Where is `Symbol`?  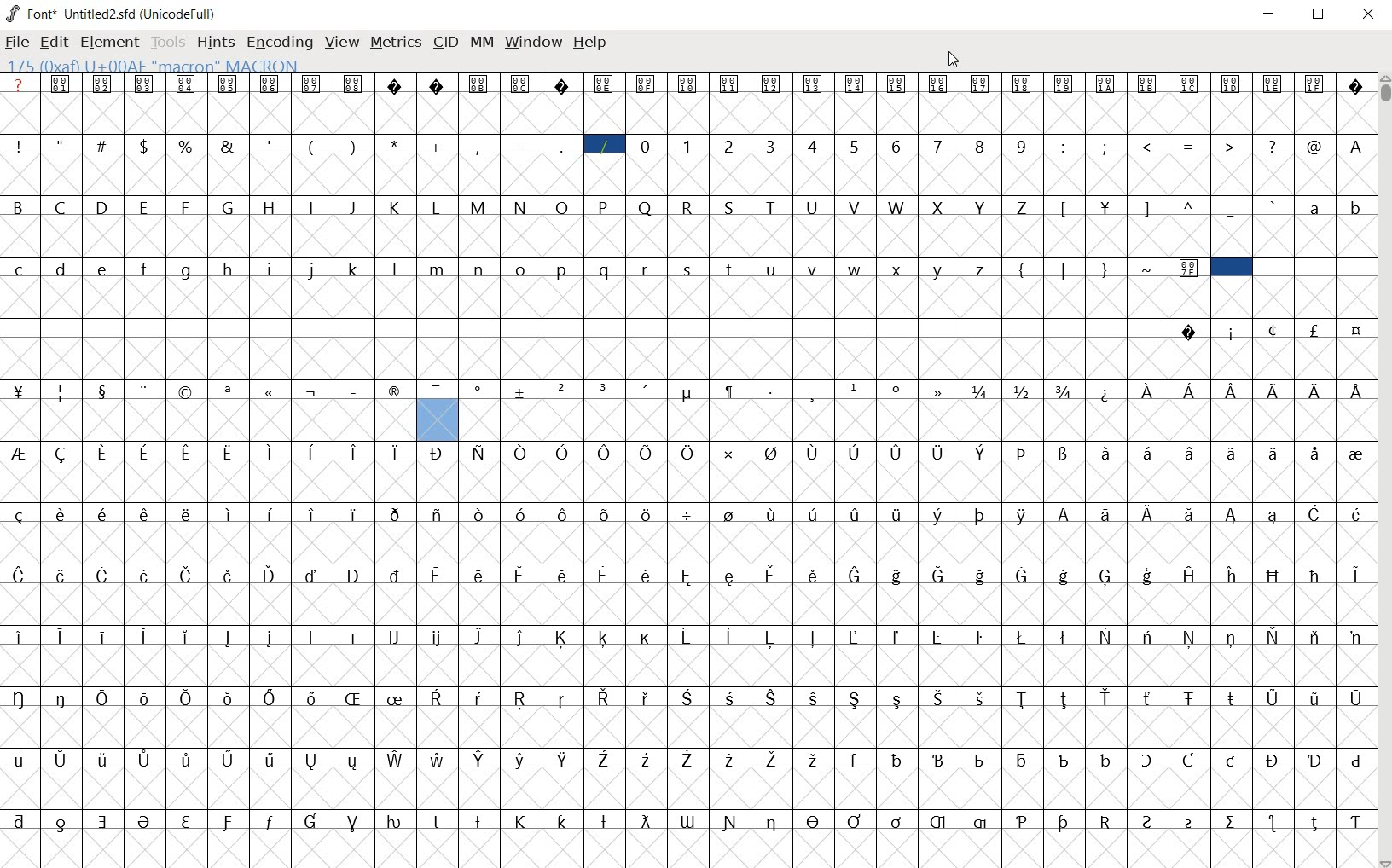
Symbol is located at coordinates (19, 516).